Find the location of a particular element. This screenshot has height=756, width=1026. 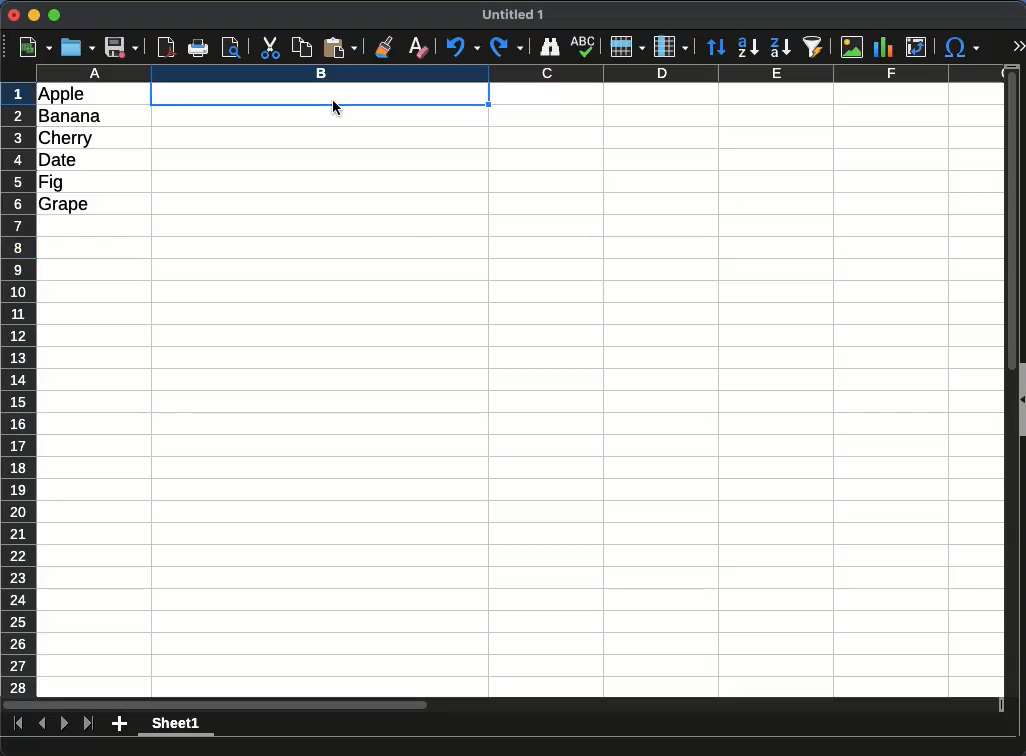

sheet1 is located at coordinates (176, 725).